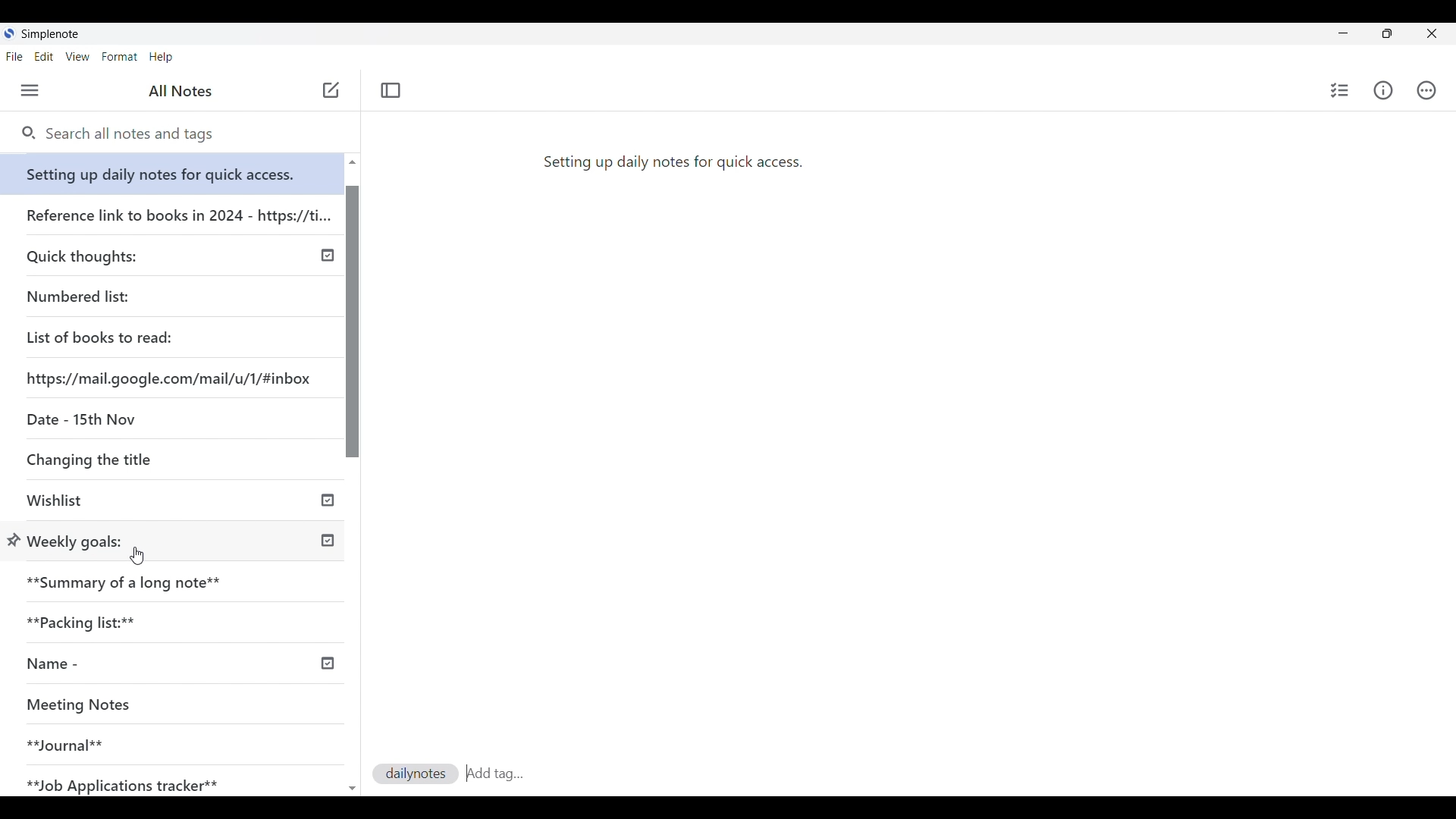  I want to click on Quick slide to top, so click(352, 162).